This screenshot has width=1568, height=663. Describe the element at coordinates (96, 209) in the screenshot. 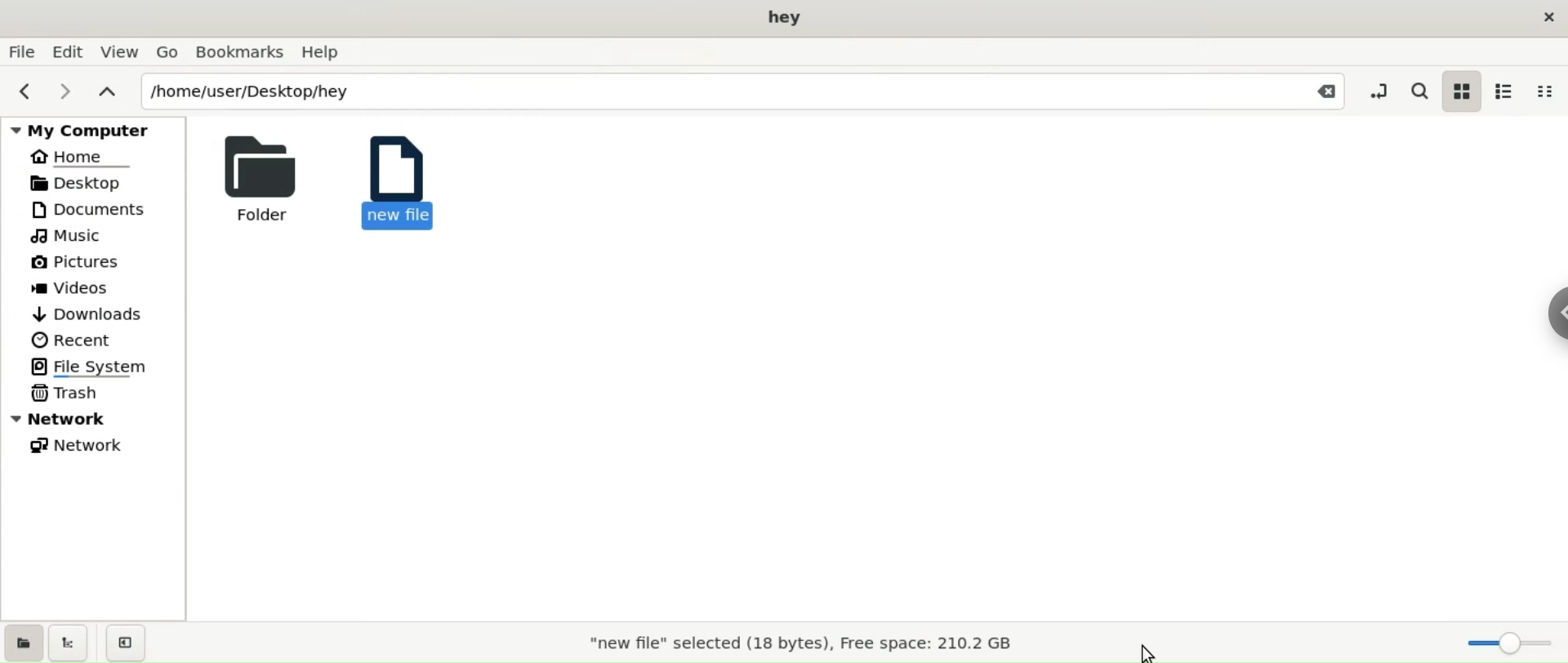

I see `Documents` at that location.